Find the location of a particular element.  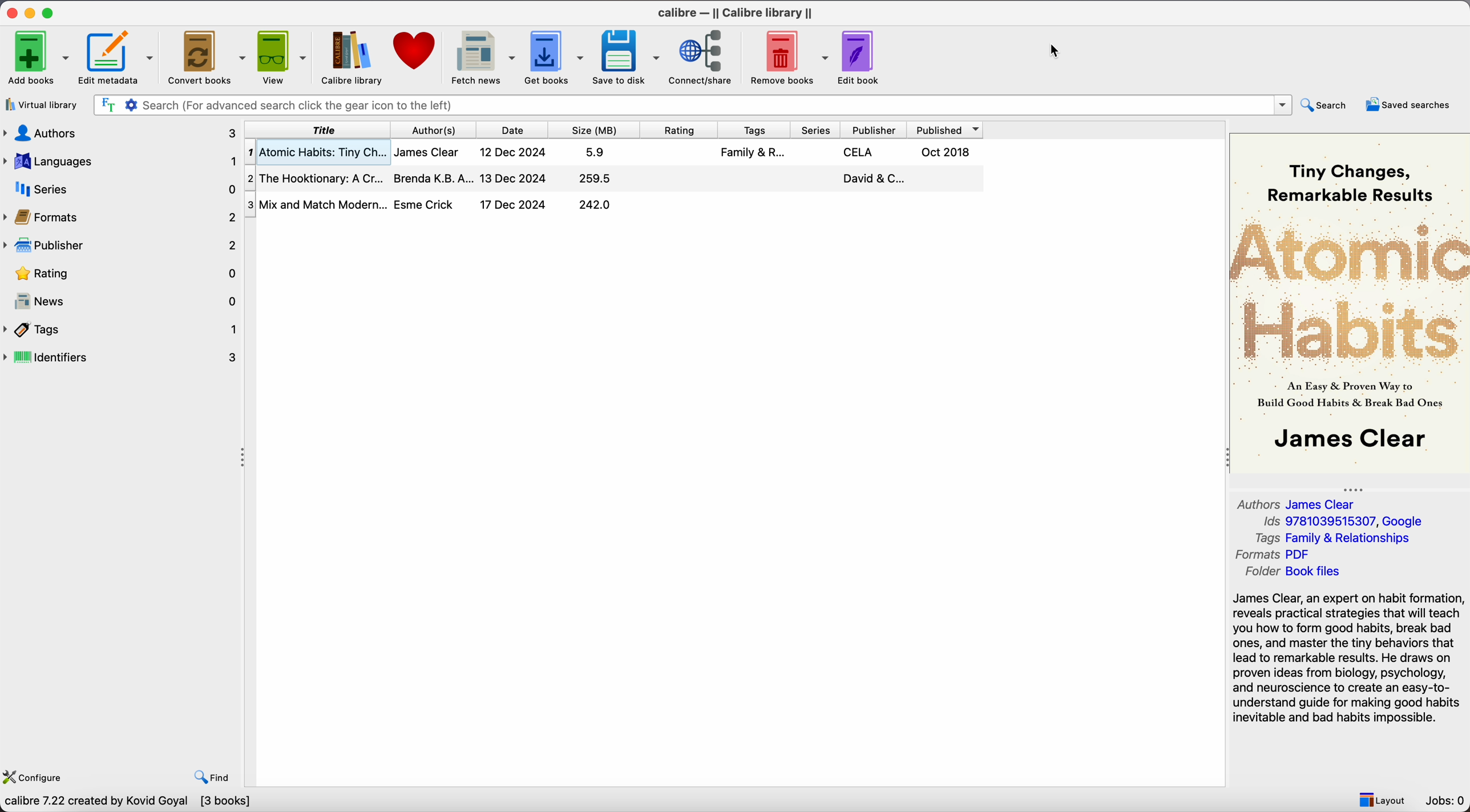

Tags Family & Relationships is located at coordinates (1338, 538).